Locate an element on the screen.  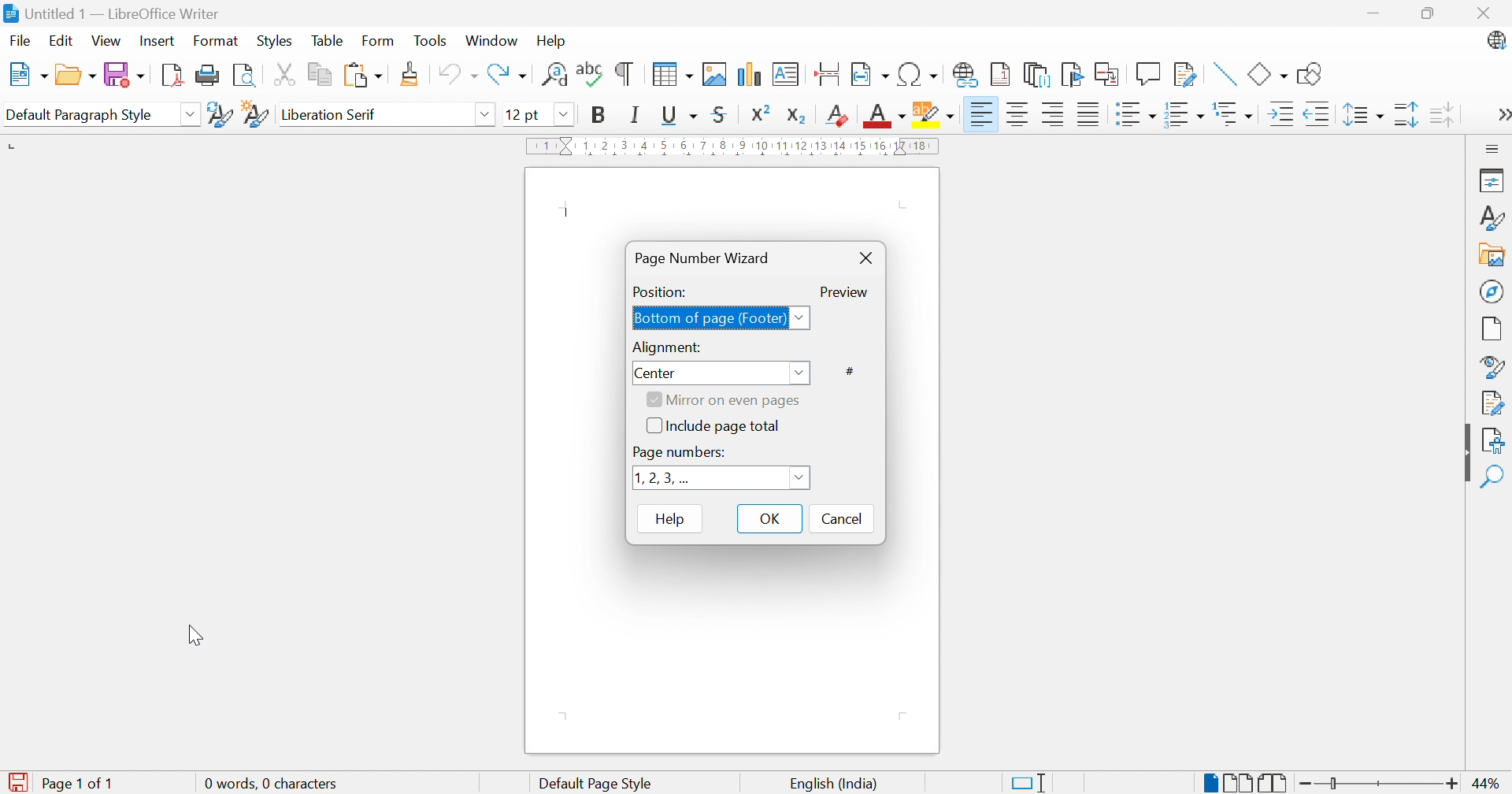
Insert line is located at coordinates (1222, 74).